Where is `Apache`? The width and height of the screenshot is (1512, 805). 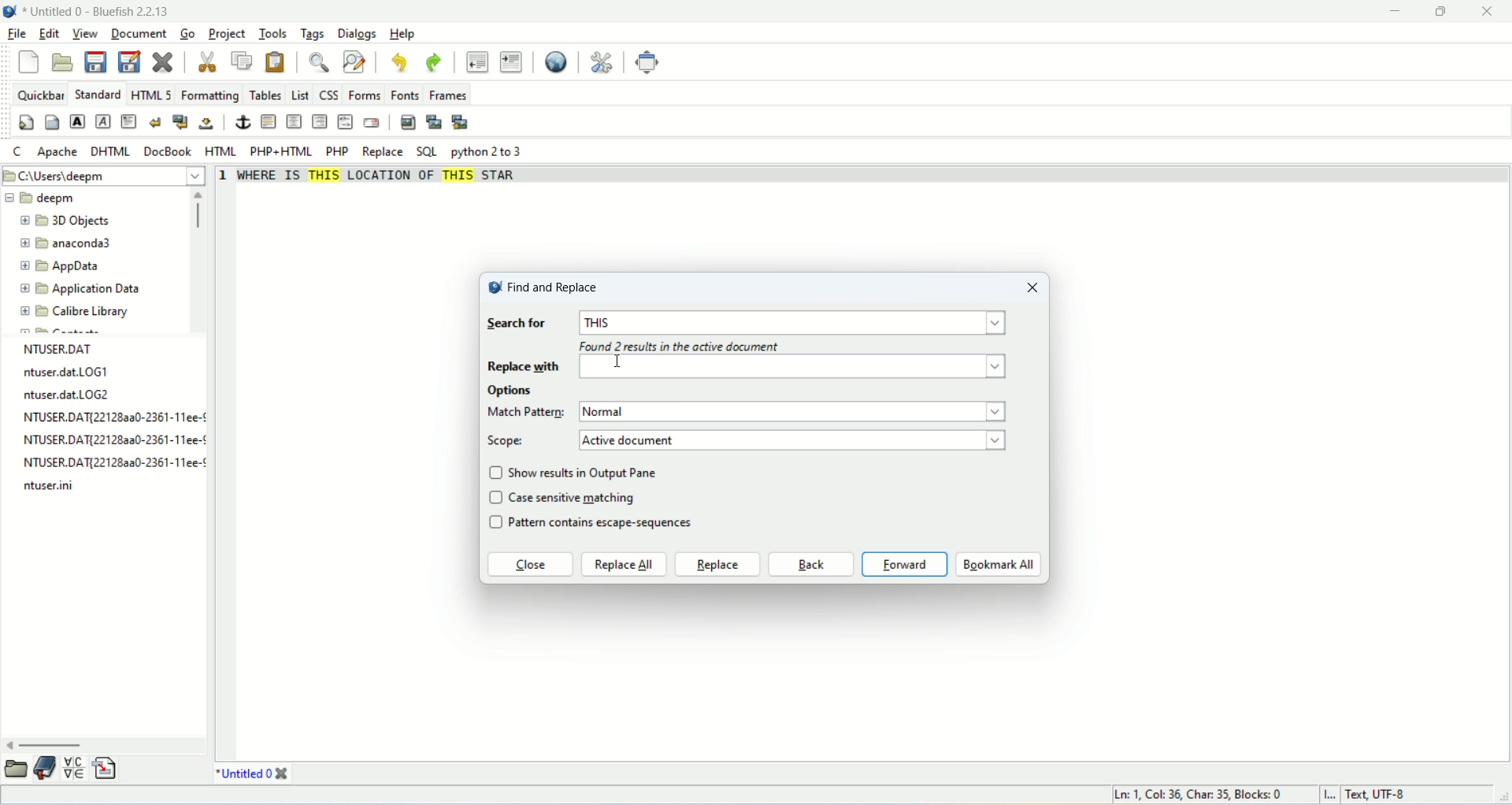 Apache is located at coordinates (55, 152).